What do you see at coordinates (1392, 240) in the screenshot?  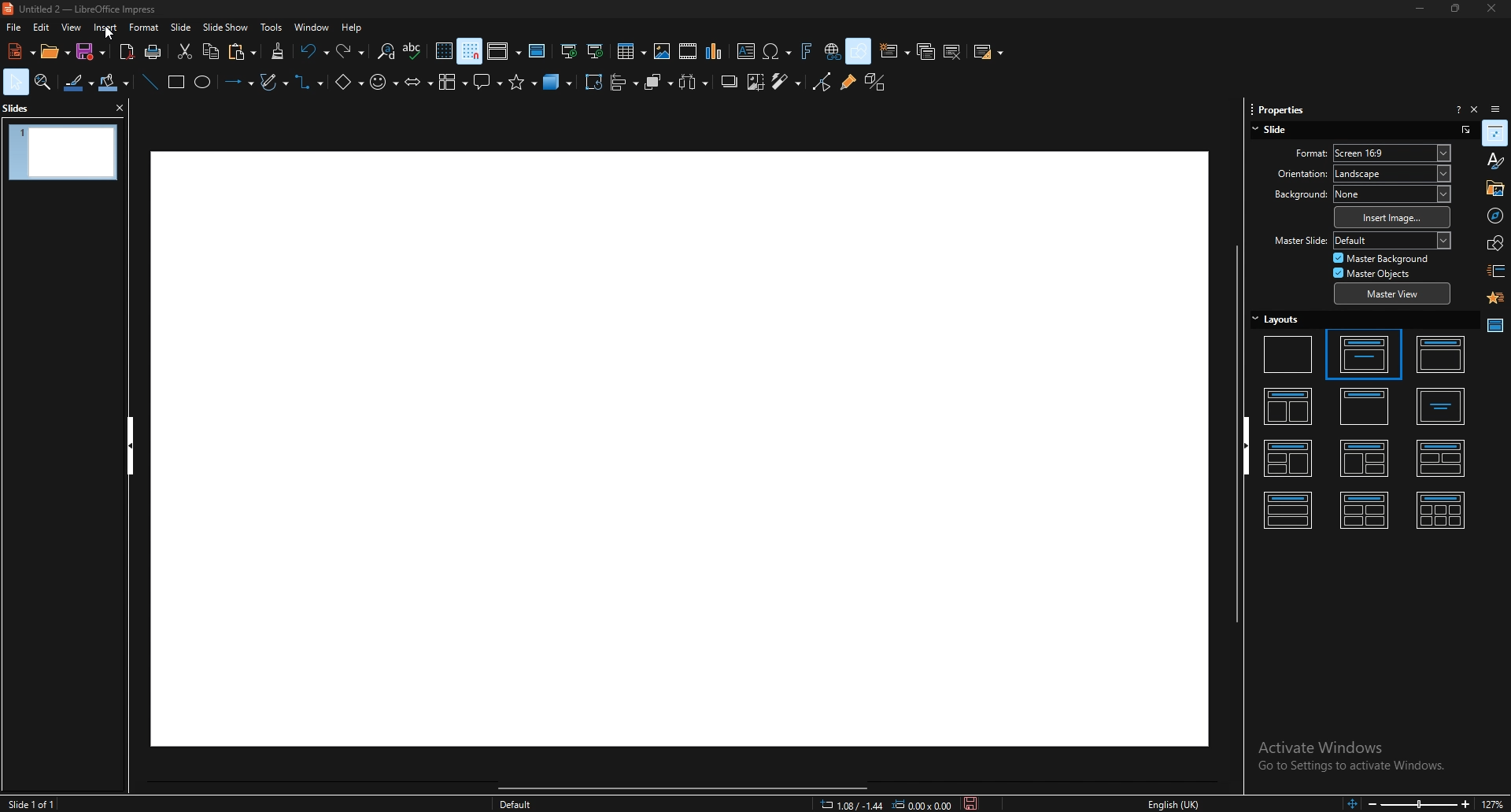 I see `master slide default` at bounding box center [1392, 240].